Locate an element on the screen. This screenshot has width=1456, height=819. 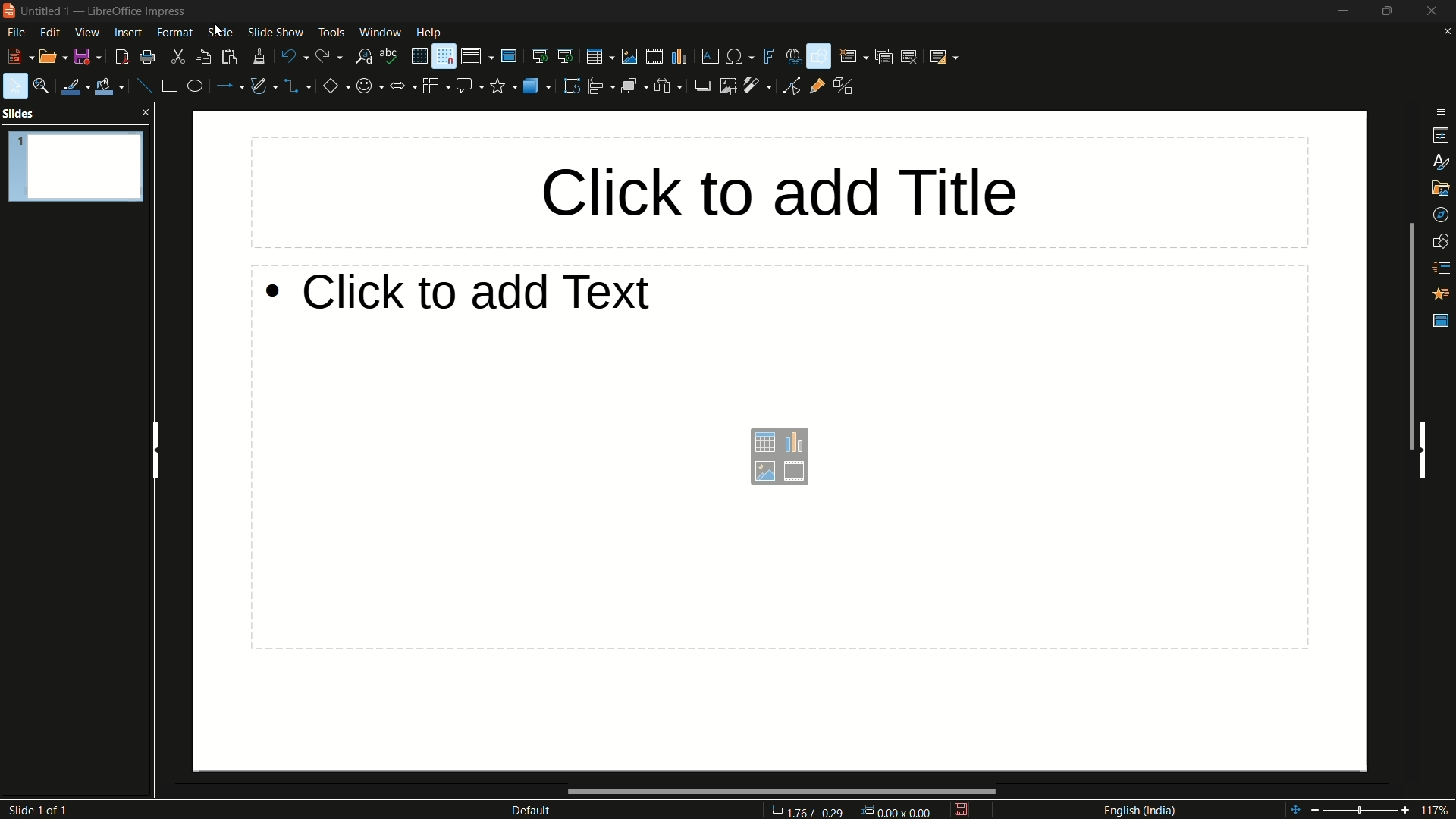
shadow is located at coordinates (702, 87).